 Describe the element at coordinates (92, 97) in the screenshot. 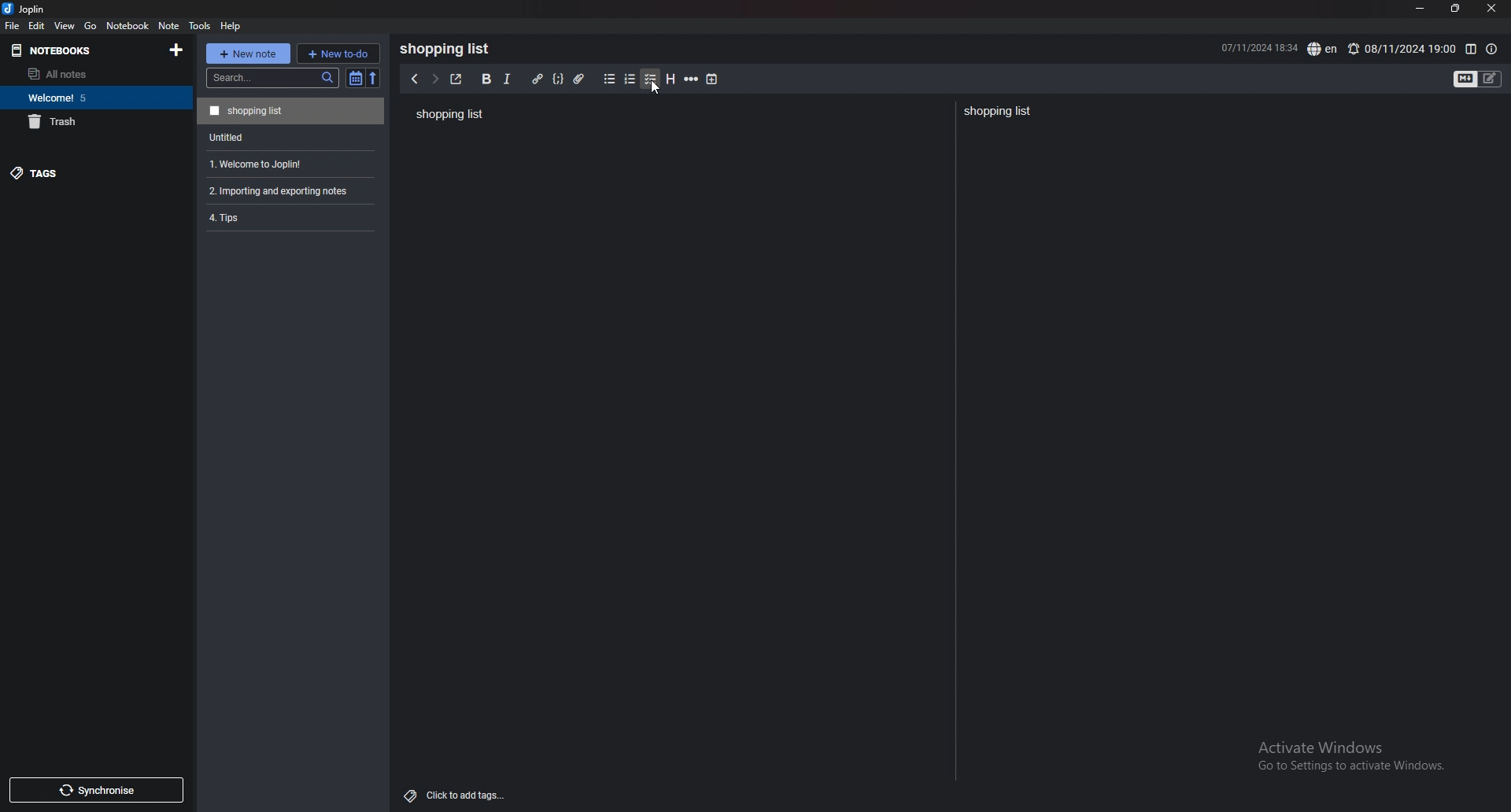

I see `Welcome 5` at that location.